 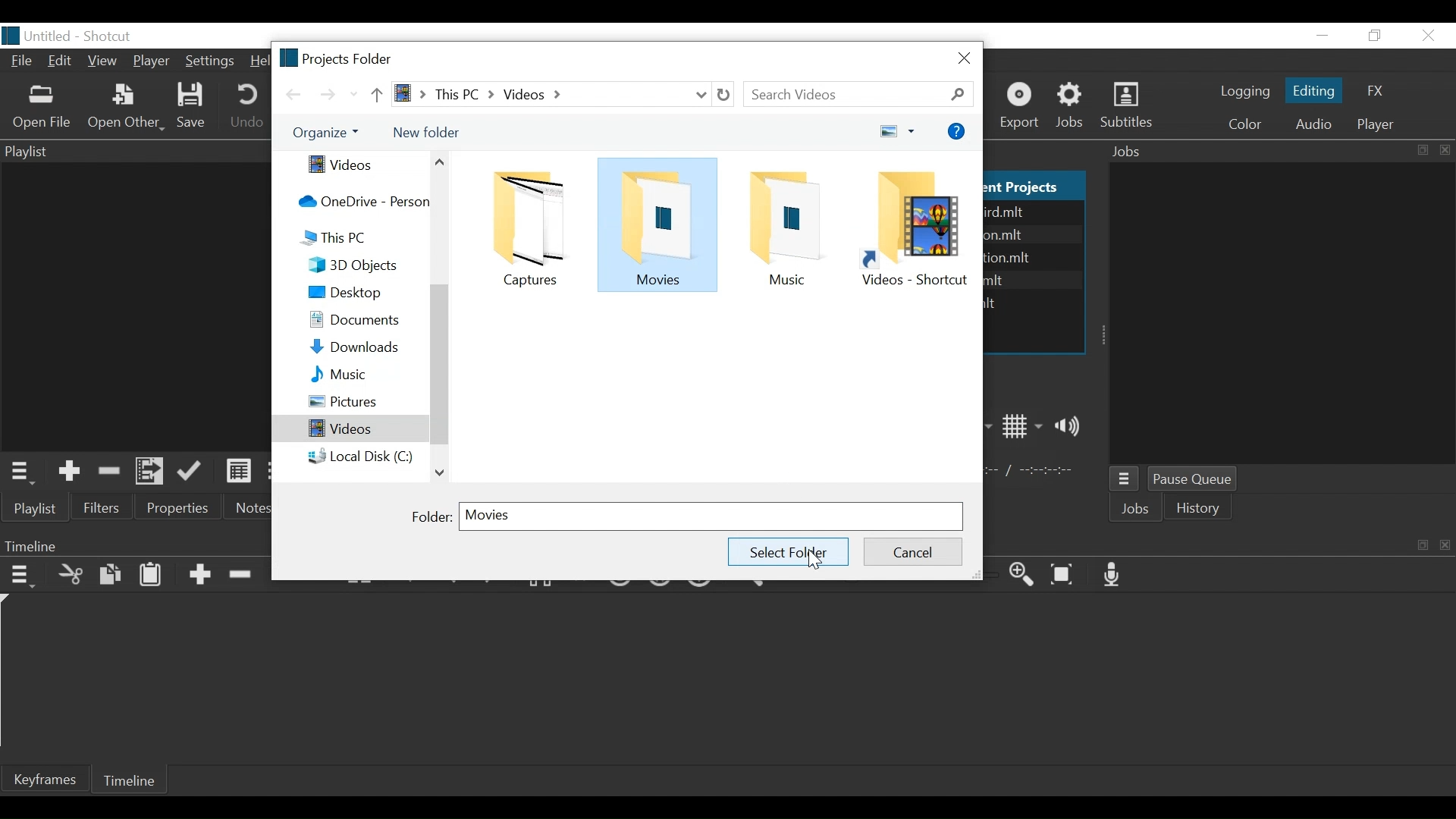 I want to click on Save, so click(x=193, y=107).